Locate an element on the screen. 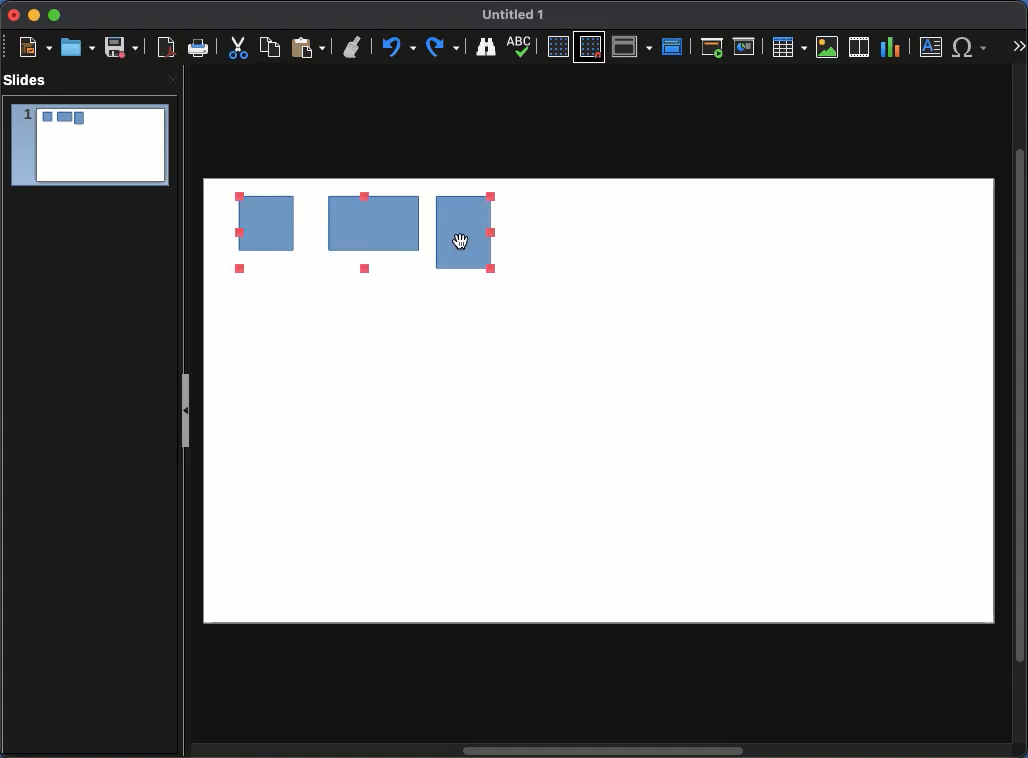  Open is located at coordinates (76, 47).